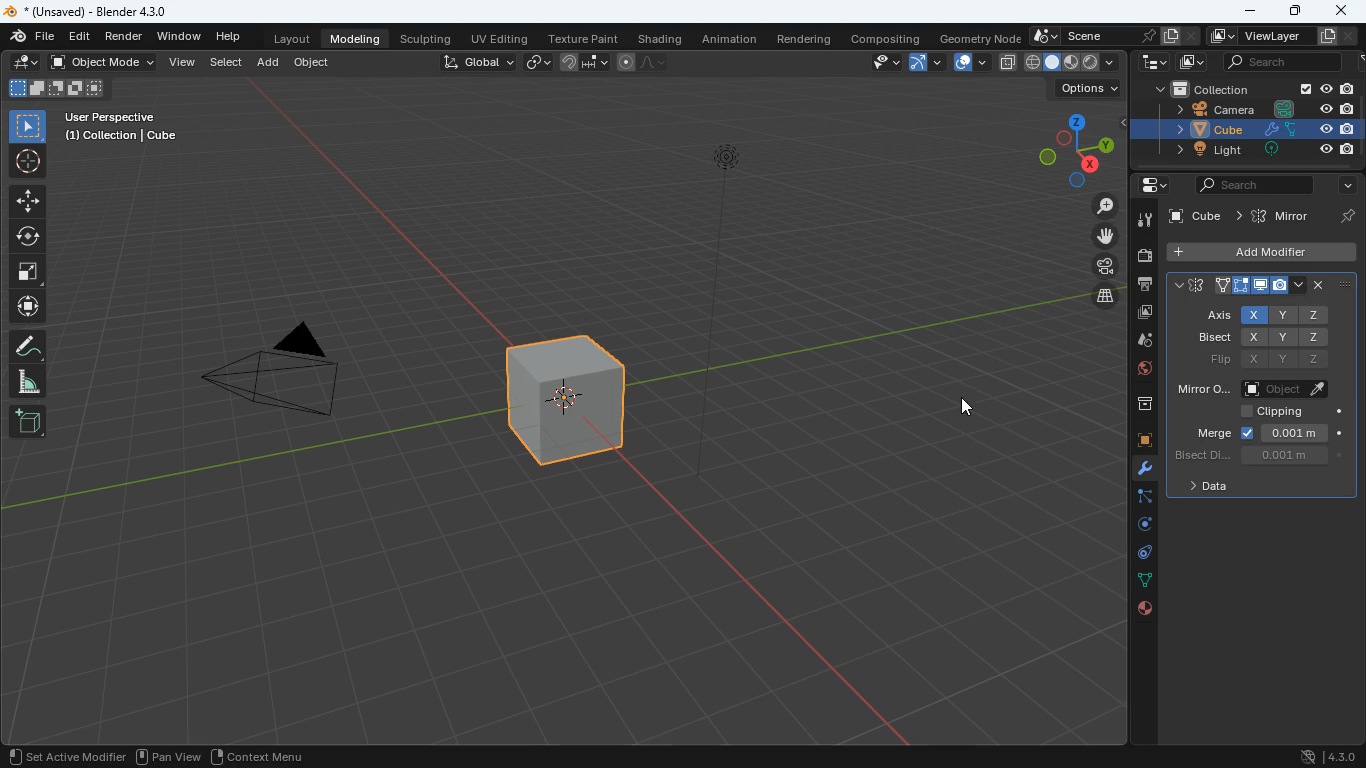 Image resolution: width=1366 pixels, height=768 pixels. What do you see at coordinates (1247, 187) in the screenshot?
I see `search` at bounding box center [1247, 187].